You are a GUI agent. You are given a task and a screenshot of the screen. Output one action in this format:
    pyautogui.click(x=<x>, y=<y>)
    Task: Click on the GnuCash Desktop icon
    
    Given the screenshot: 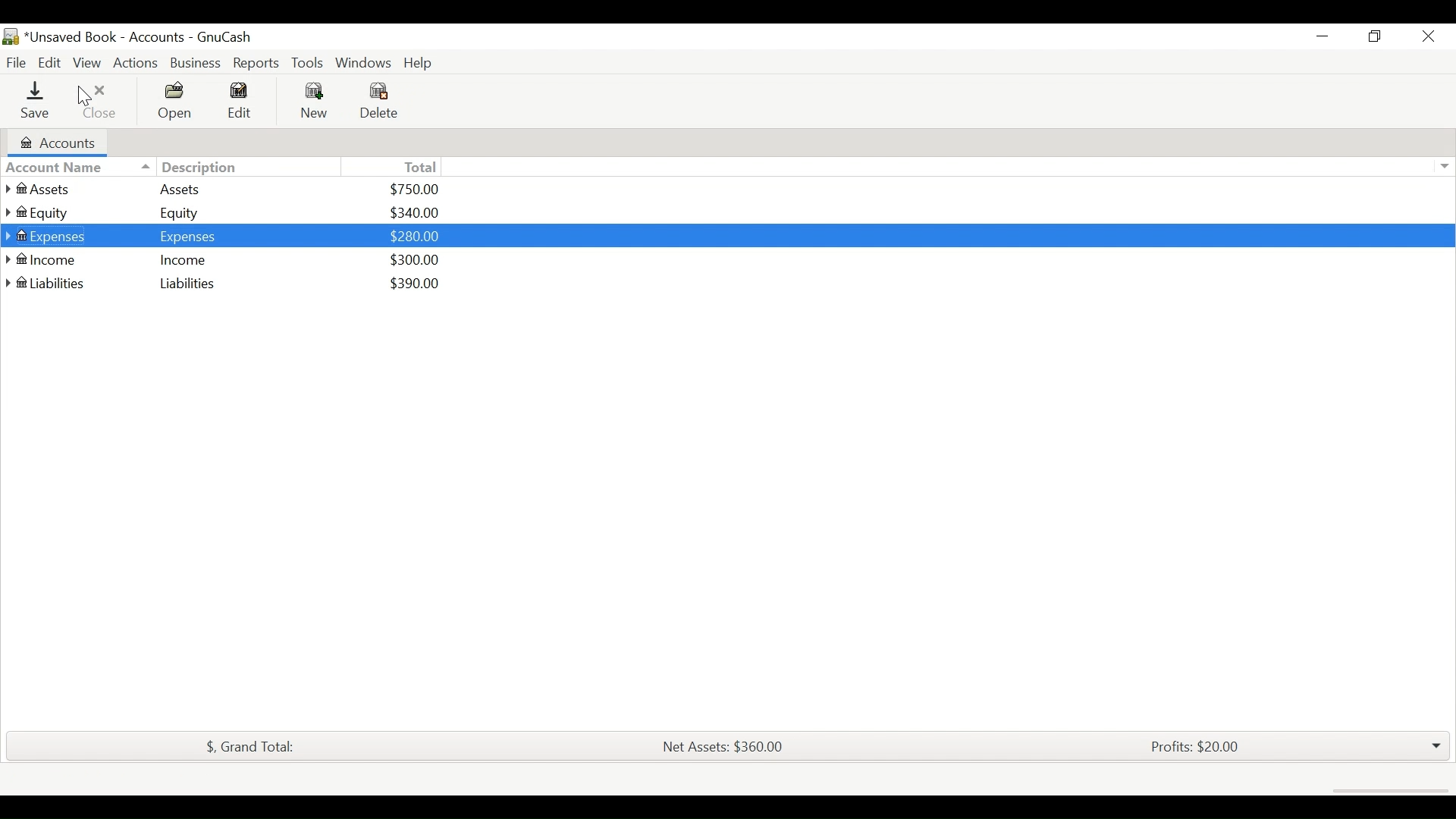 What is the action you would take?
    pyautogui.click(x=11, y=37)
    